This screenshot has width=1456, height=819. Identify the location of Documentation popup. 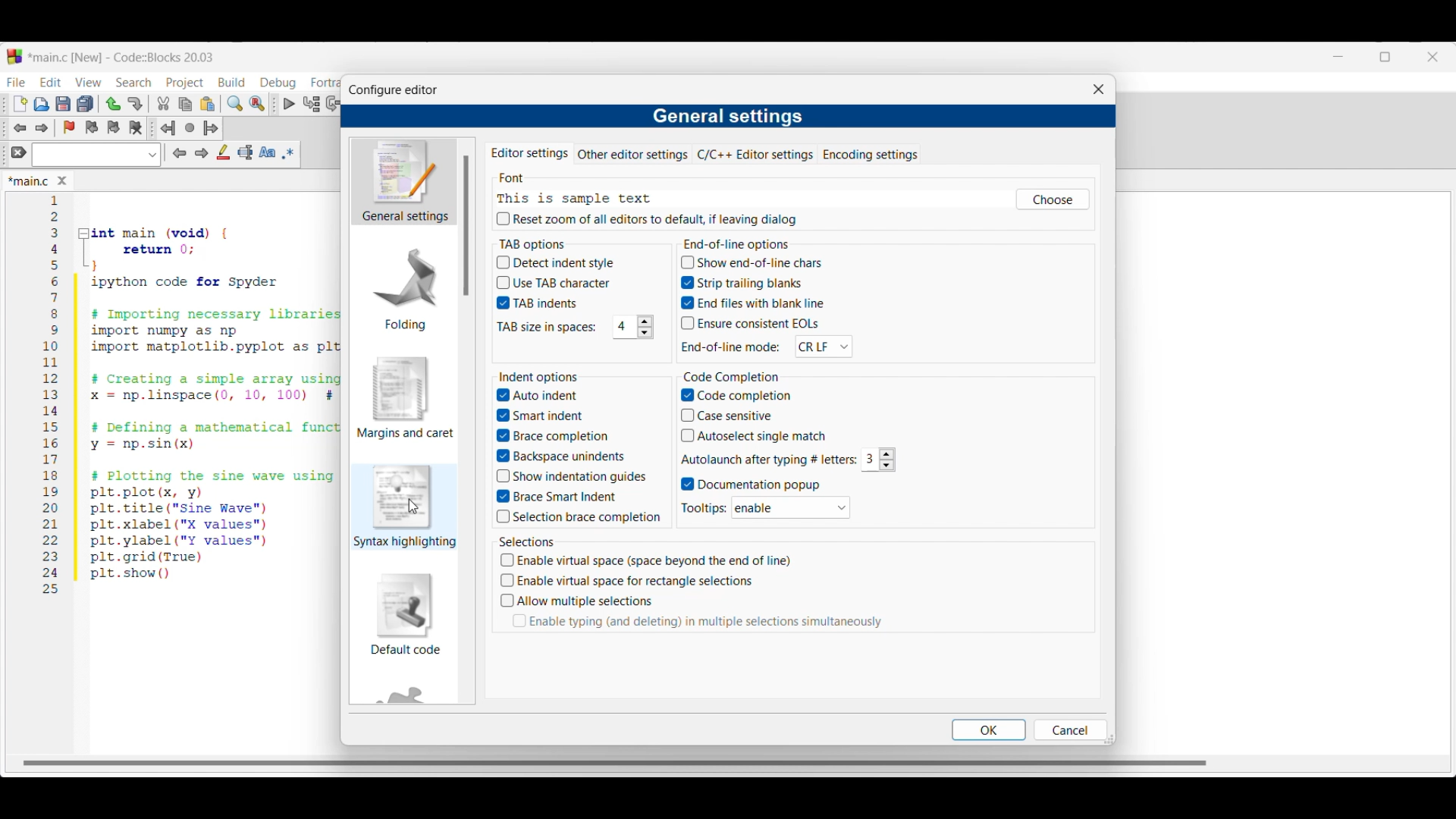
(764, 484).